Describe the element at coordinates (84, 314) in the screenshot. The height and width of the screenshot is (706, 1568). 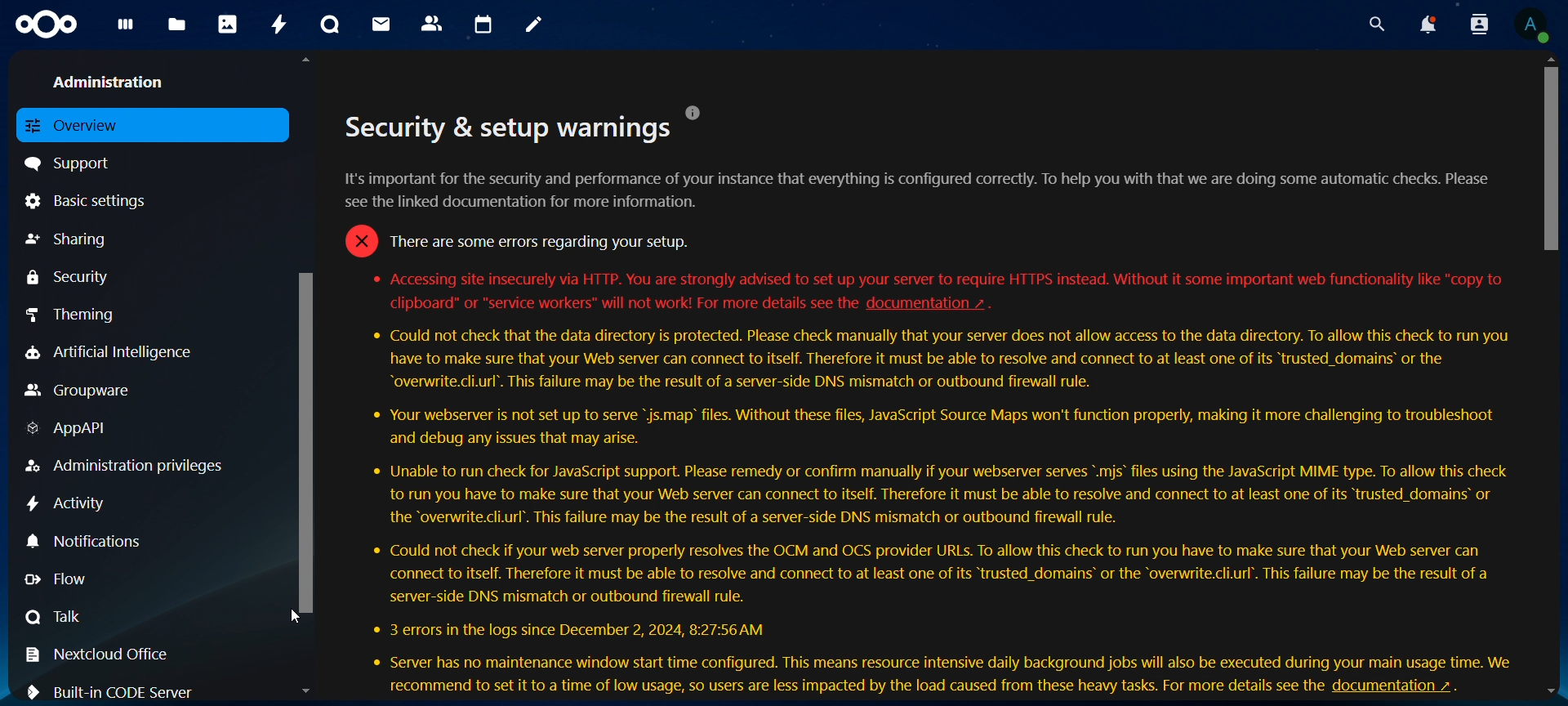
I see `theming` at that location.